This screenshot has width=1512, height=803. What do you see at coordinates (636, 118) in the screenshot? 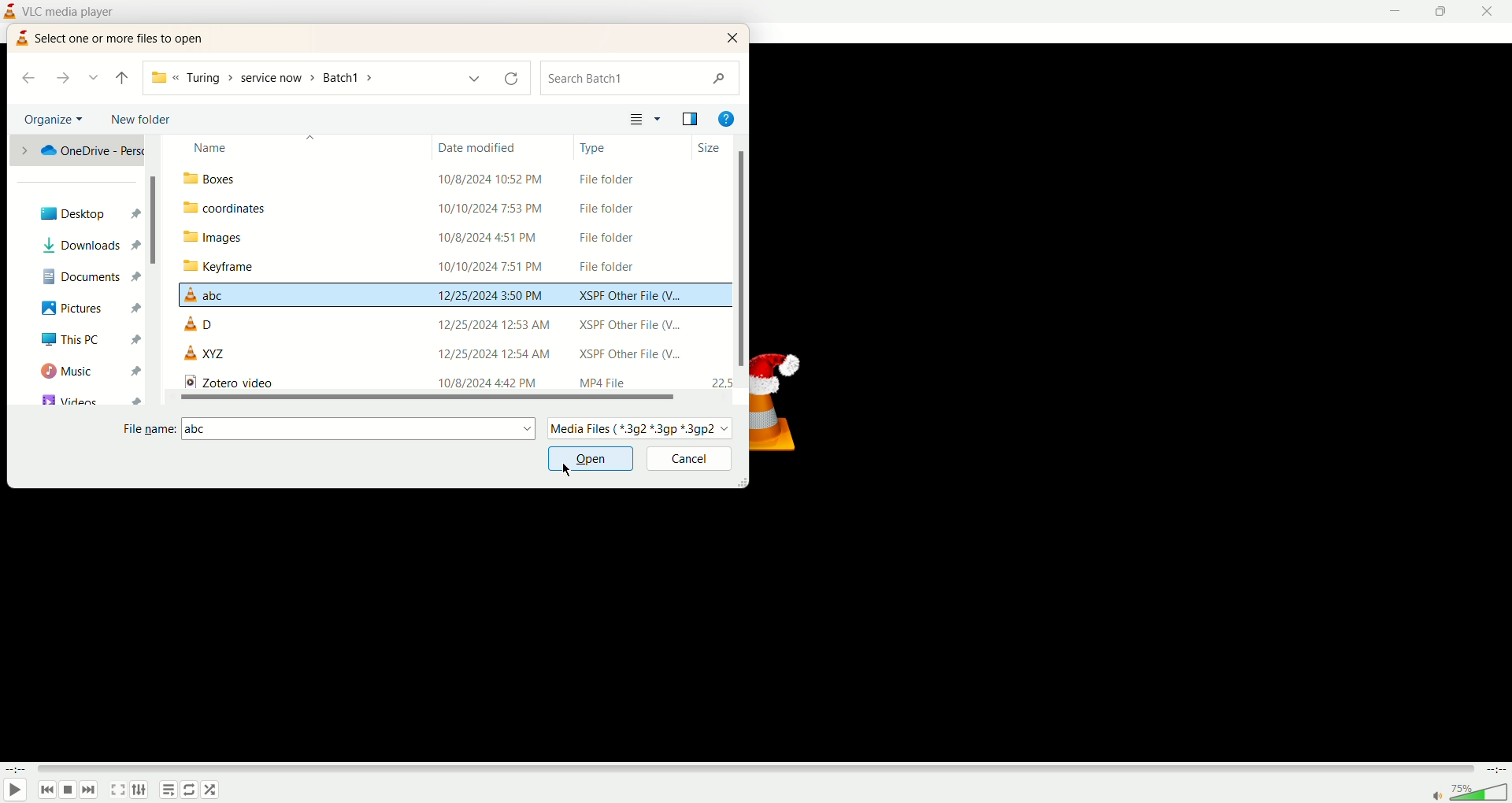
I see `view` at bounding box center [636, 118].